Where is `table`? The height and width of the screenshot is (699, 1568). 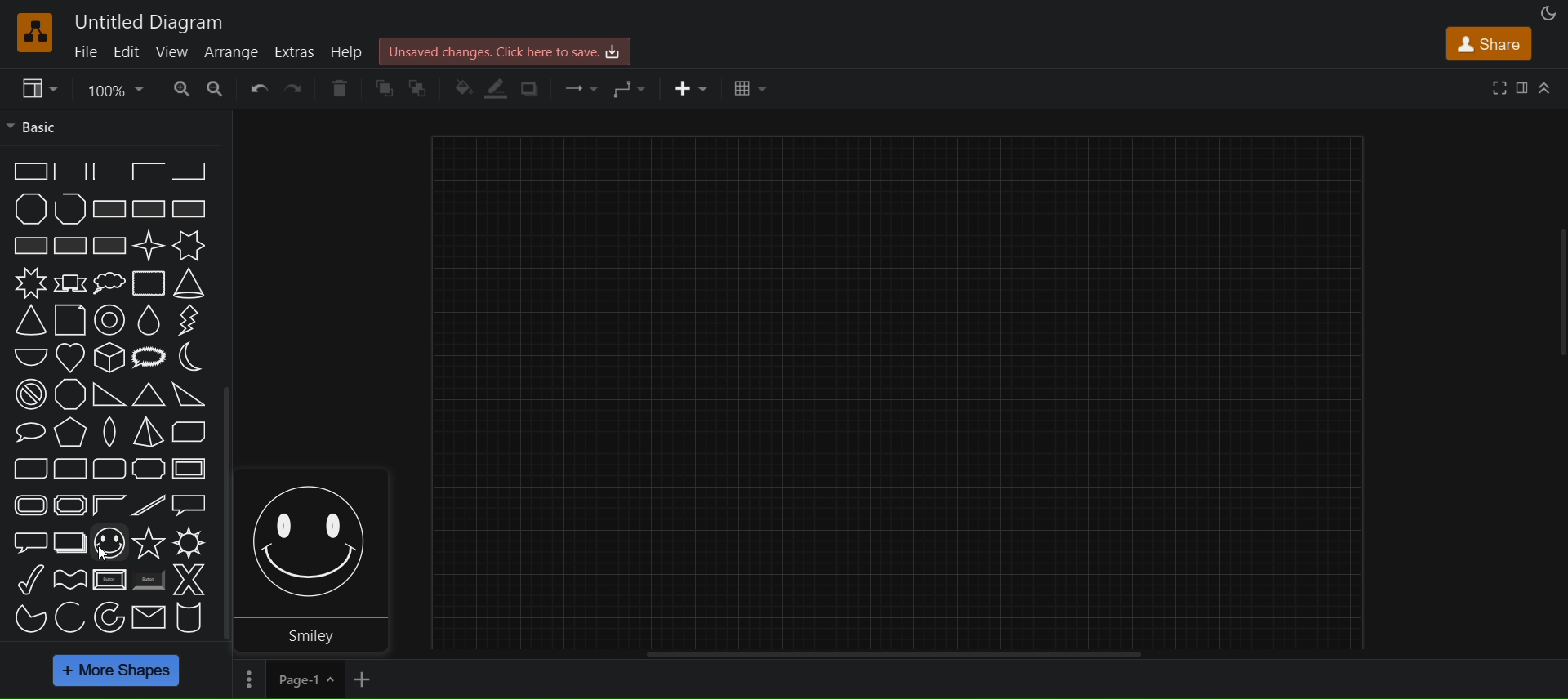 table is located at coordinates (753, 87).